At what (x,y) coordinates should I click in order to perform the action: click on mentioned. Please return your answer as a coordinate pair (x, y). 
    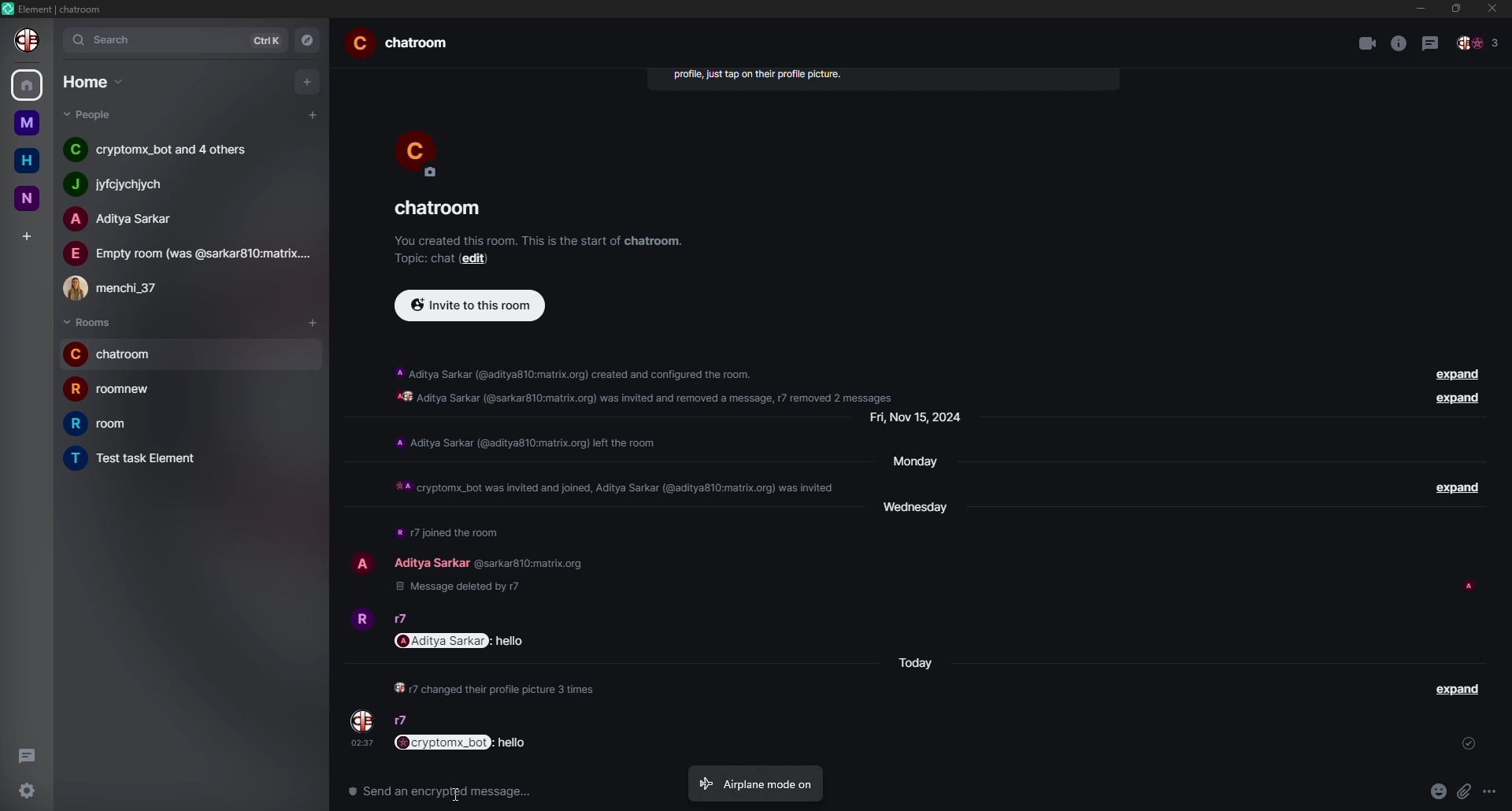
    Looking at the image, I should click on (463, 642).